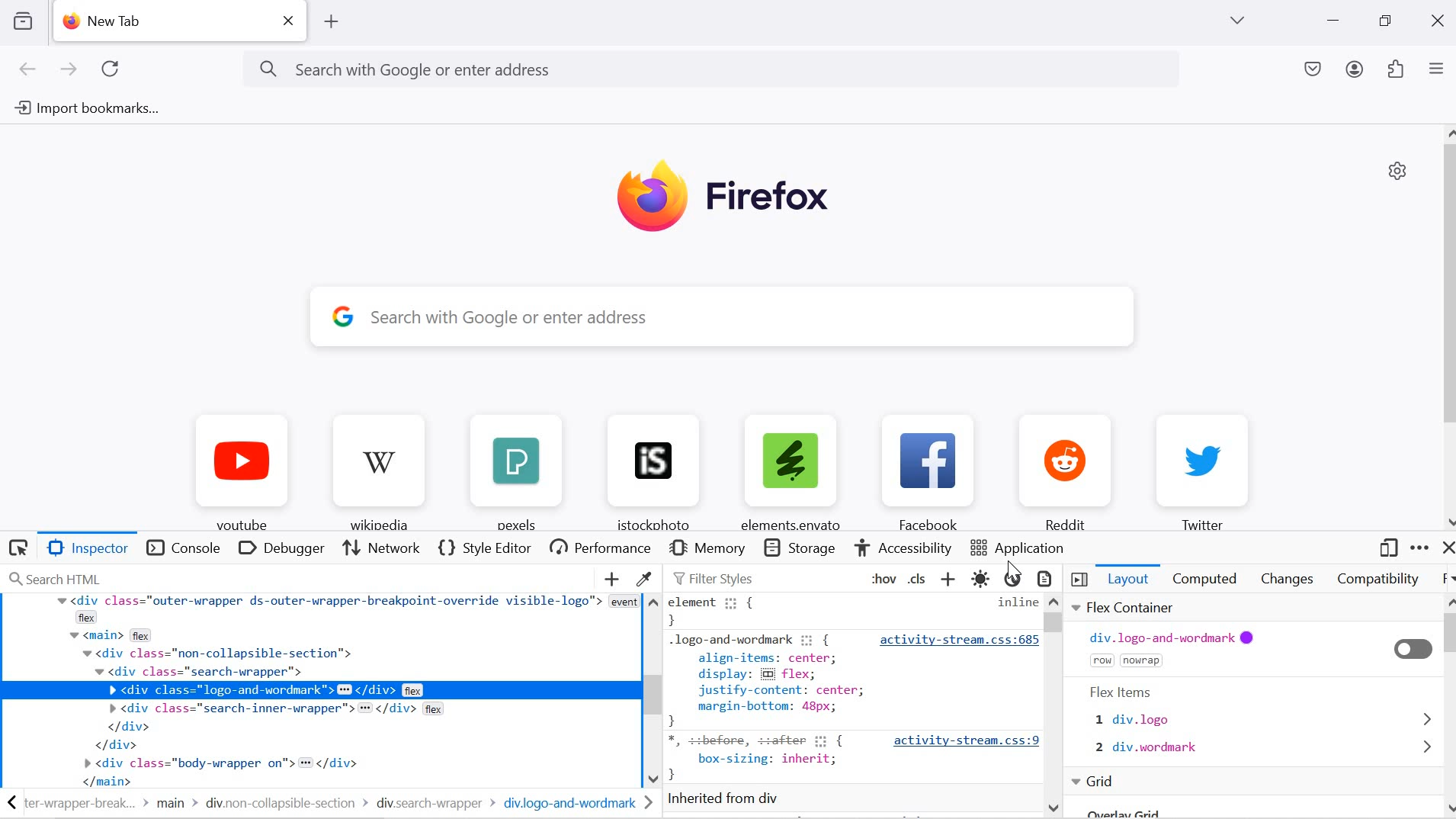 This screenshot has height=819, width=1456. What do you see at coordinates (1018, 548) in the screenshot?
I see `application` at bounding box center [1018, 548].